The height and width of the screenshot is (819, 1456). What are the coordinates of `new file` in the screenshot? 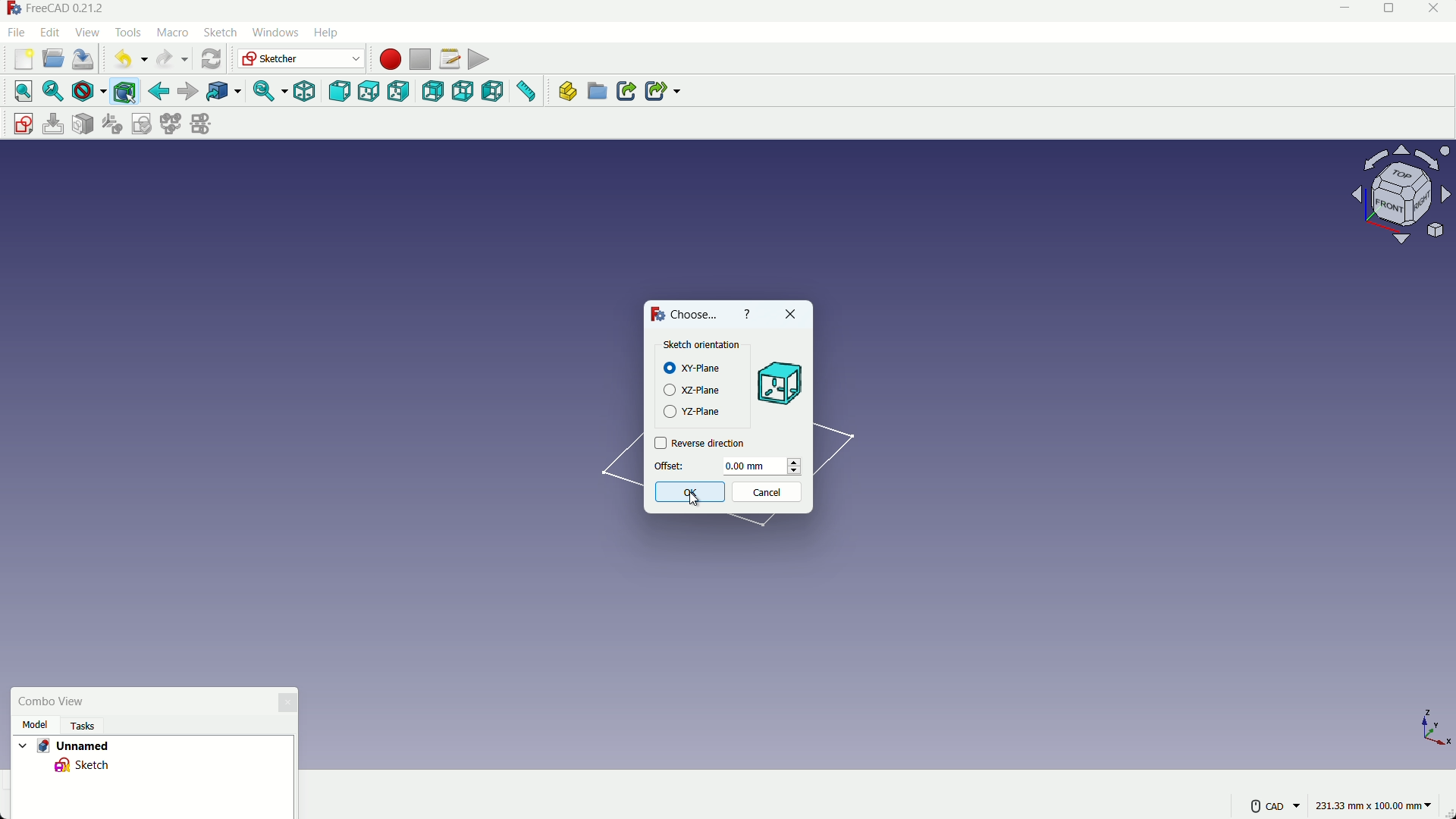 It's located at (24, 59).